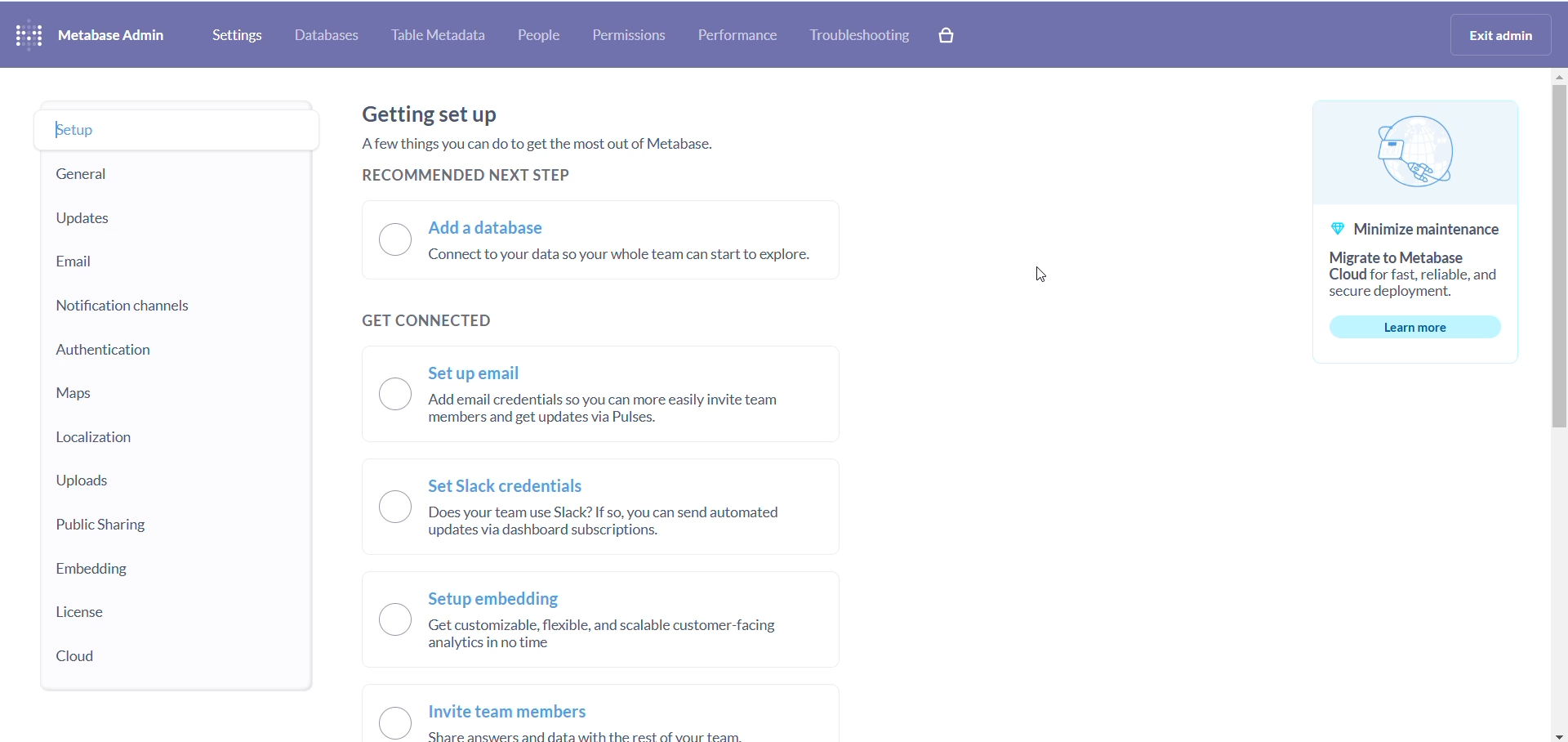  What do you see at coordinates (461, 320) in the screenshot?
I see `get connected ` at bounding box center [461, 320].